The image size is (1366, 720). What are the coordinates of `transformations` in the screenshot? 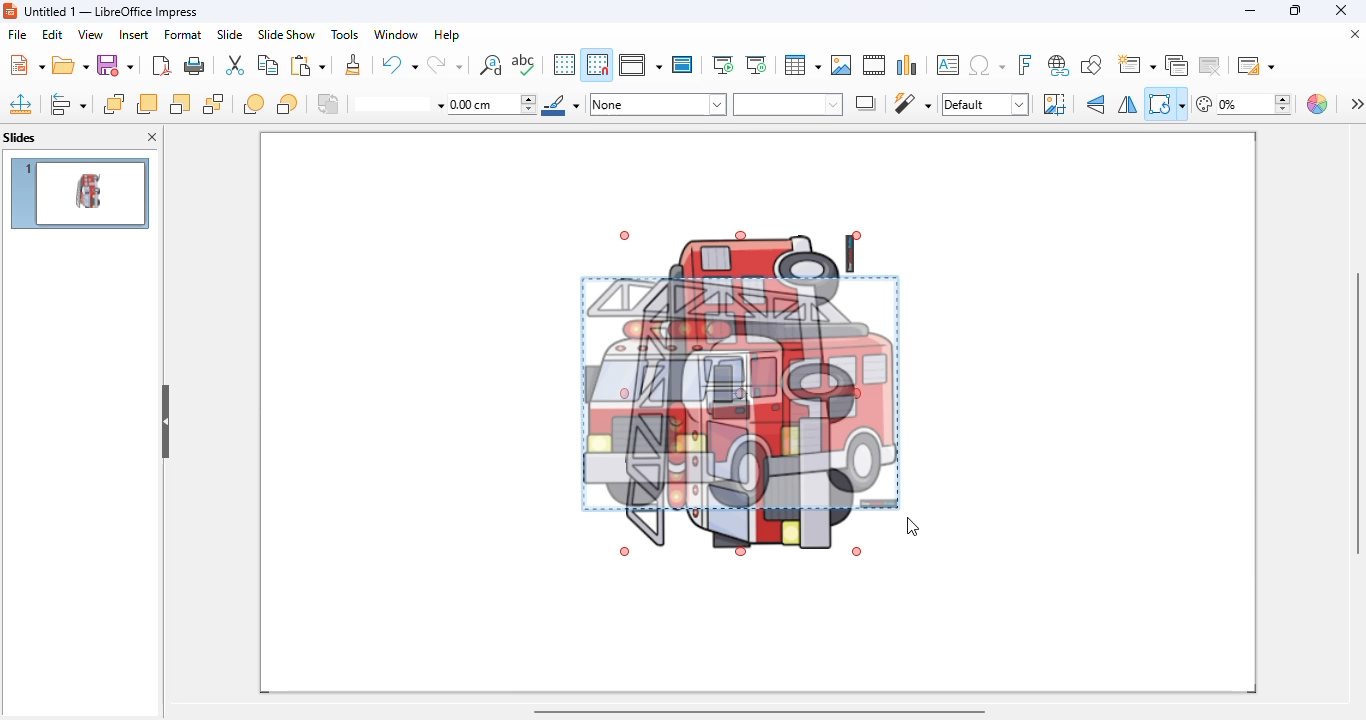 It's located at (1166, 104).